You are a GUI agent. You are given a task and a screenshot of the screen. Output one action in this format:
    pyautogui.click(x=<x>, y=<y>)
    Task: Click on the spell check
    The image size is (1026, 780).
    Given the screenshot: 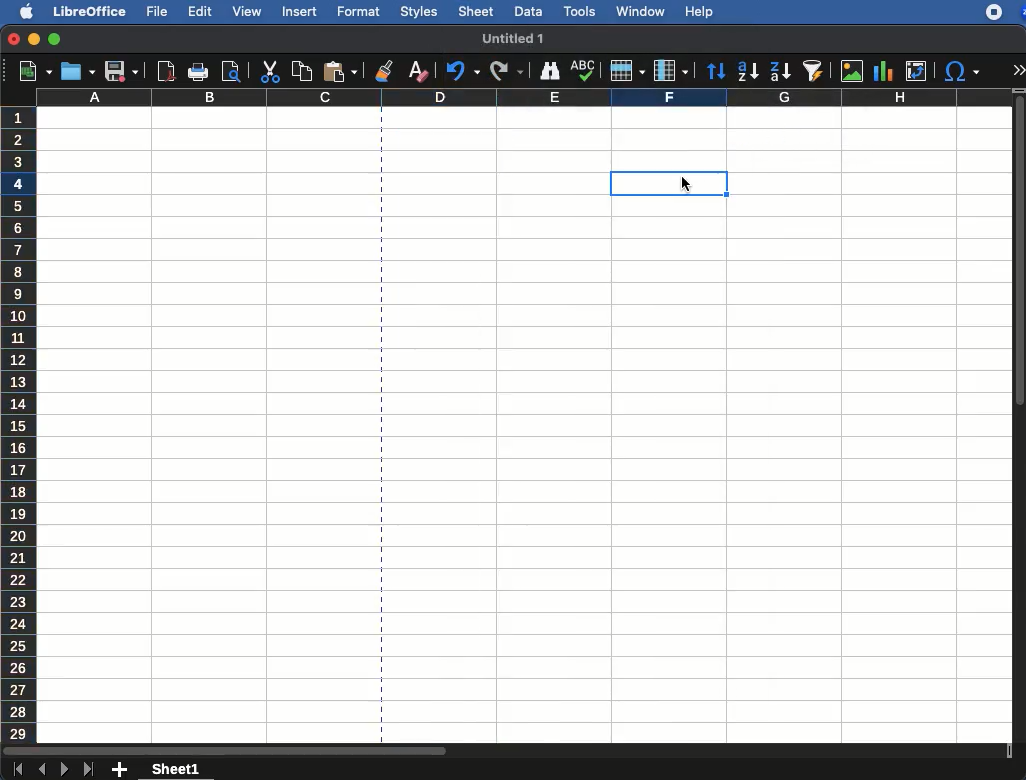 What is the action you would take?
    pyautogui.click(x=583, y=71)
    